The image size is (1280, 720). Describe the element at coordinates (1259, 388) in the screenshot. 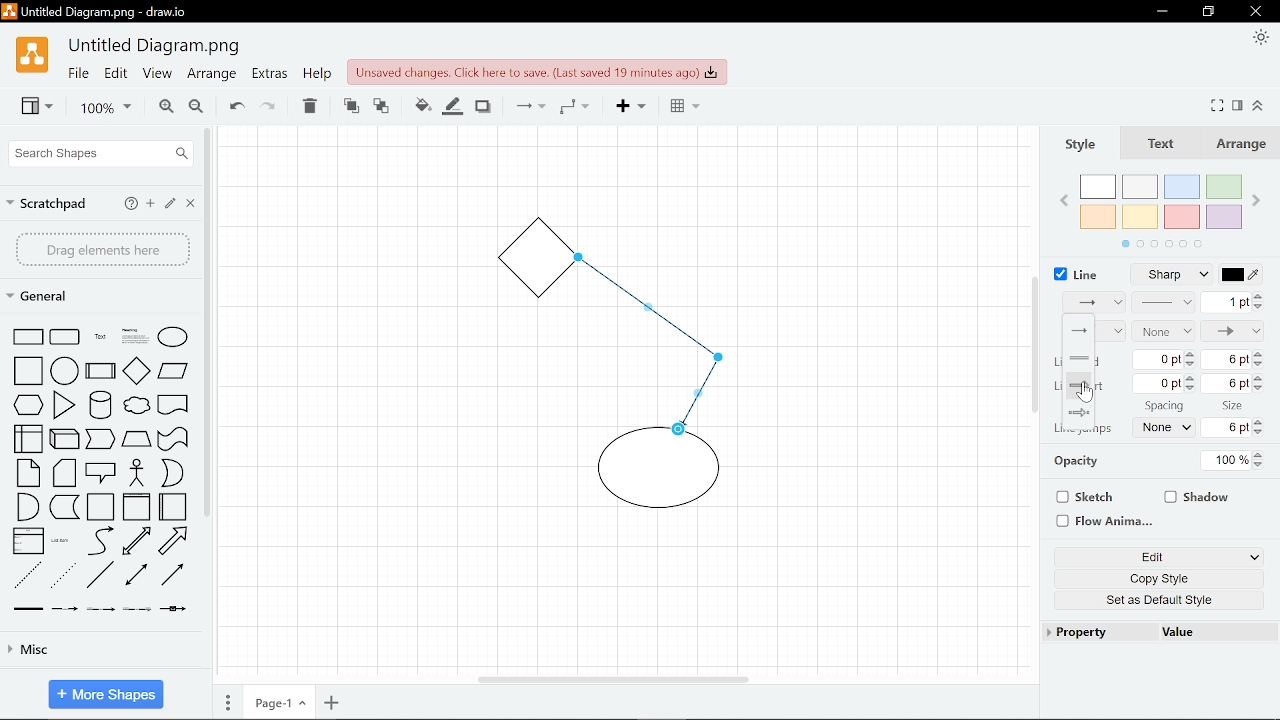

I see `Decrease` at that location.